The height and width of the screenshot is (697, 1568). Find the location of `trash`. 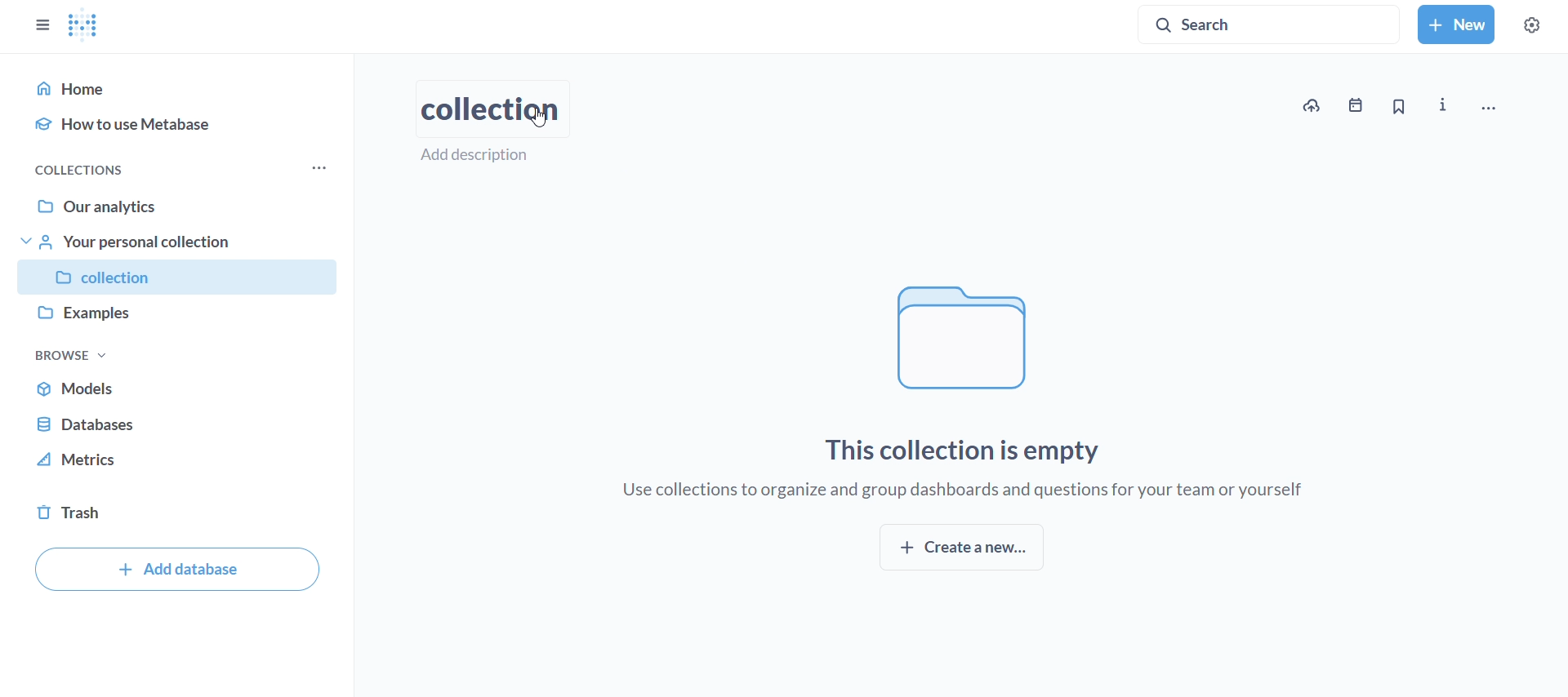

trash is located at coordinates (180, 517).